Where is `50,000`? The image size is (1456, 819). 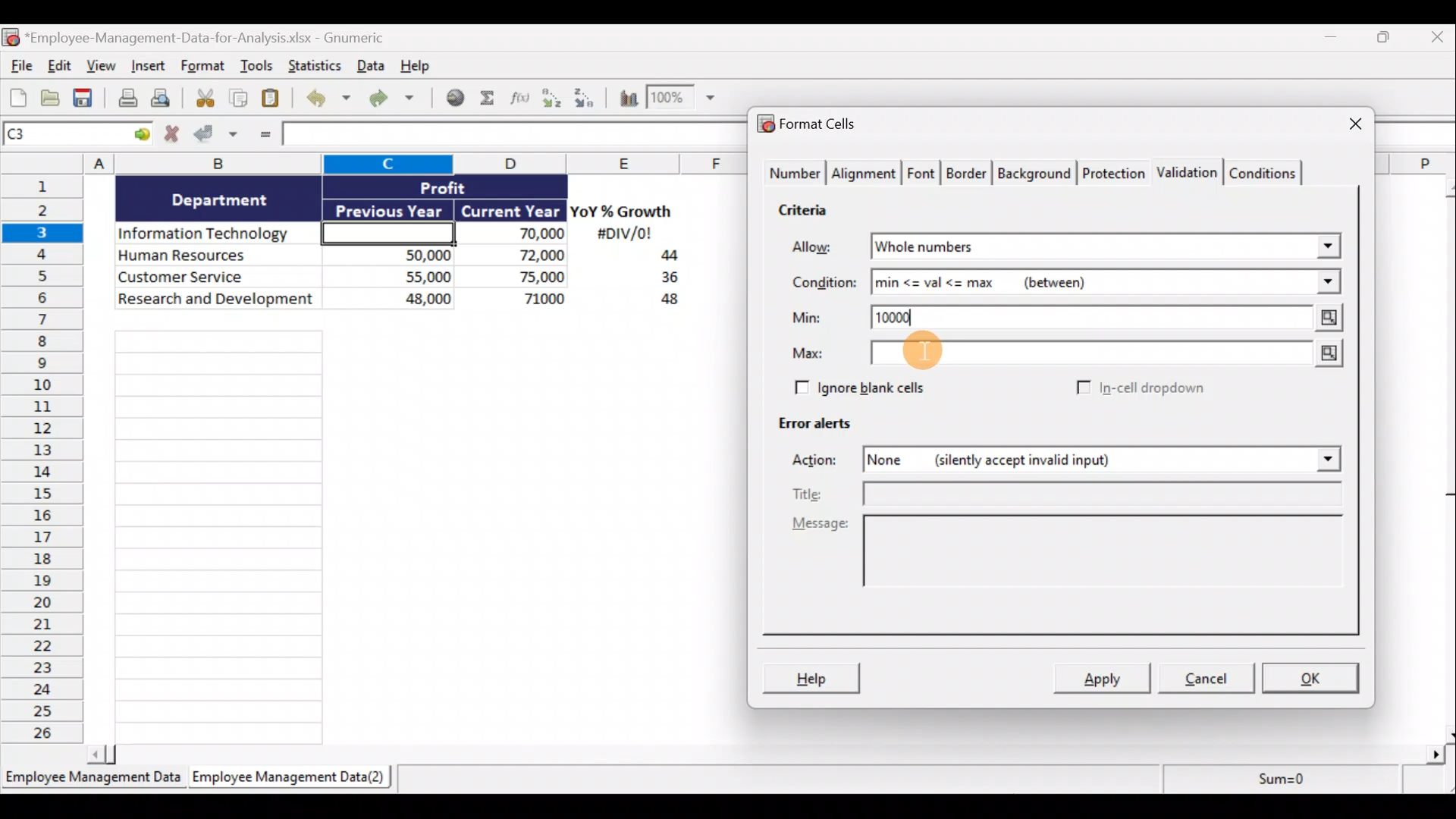
50,000 is located at coordinates (397, 254).